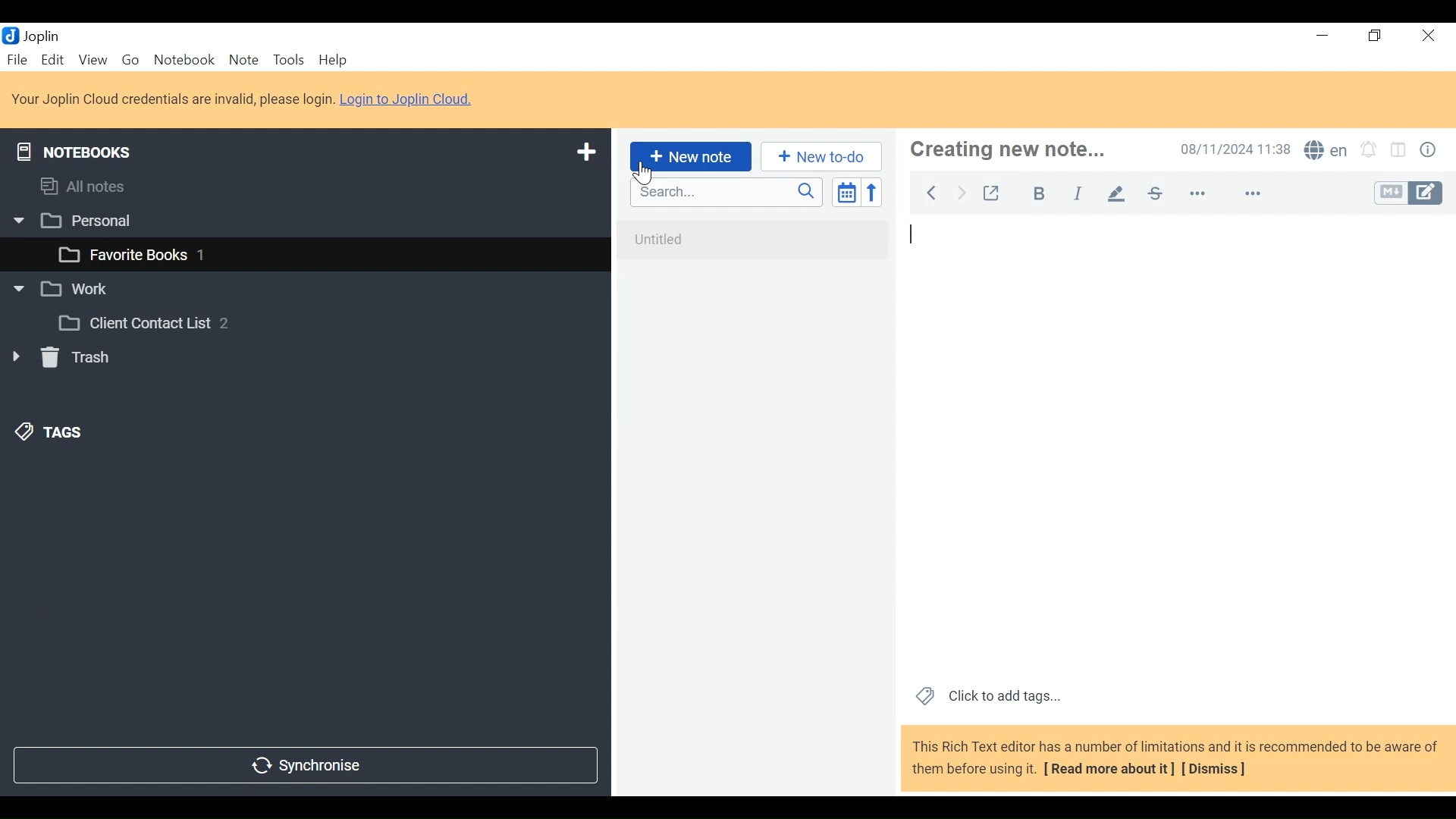  Describe the element at coordinates (93, 61) in the screenshot. I see `View` at that location.